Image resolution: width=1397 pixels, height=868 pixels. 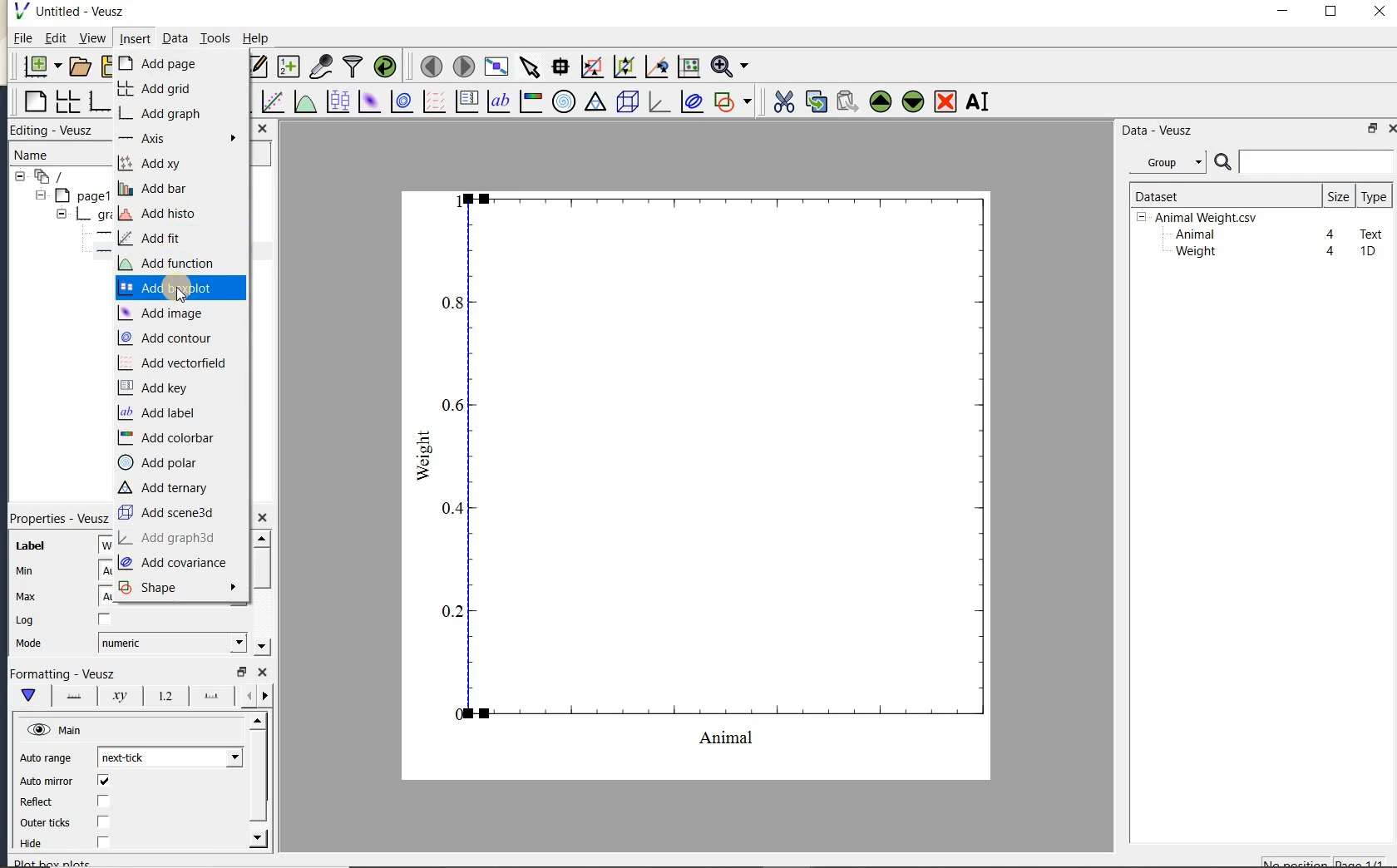 What do you see at coordinates (591, 67) in the screenshot?
I see `click or draw a rectangle to zoom graph axes` at bounding box center [591, 67].